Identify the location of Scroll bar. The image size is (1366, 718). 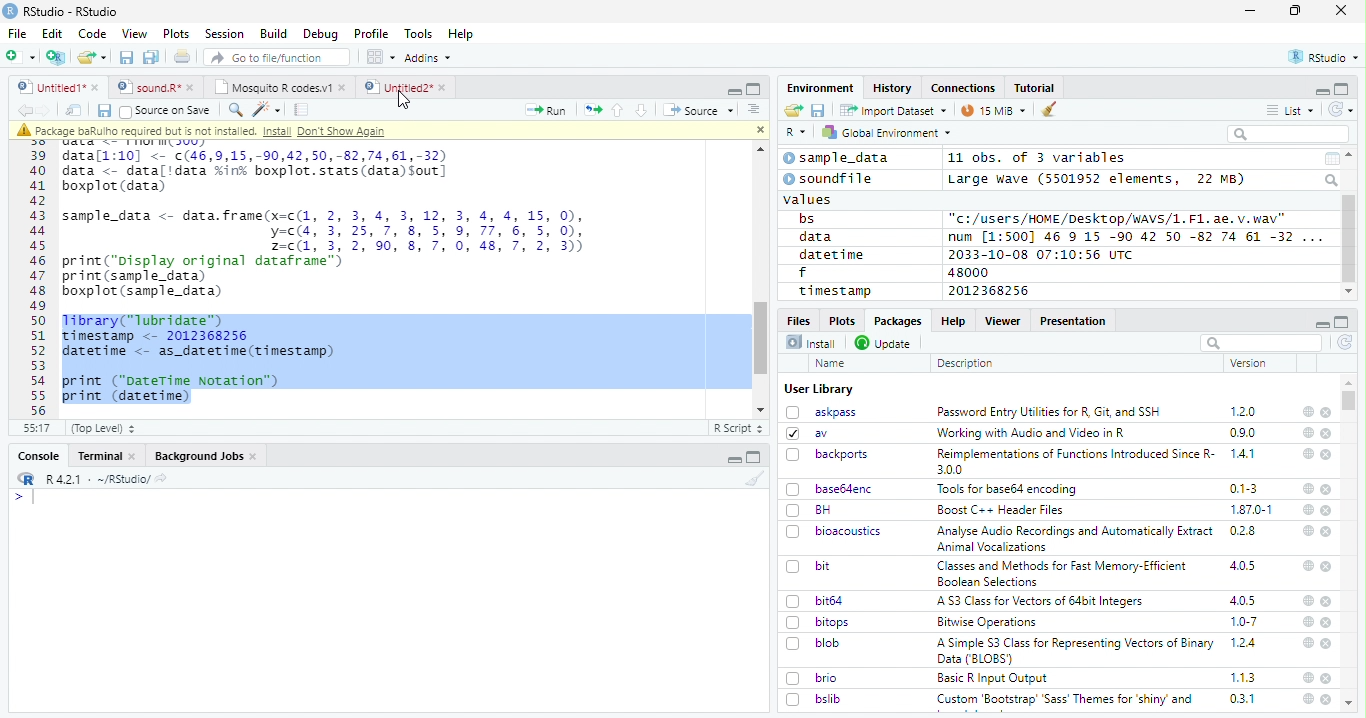
(1350, 239).